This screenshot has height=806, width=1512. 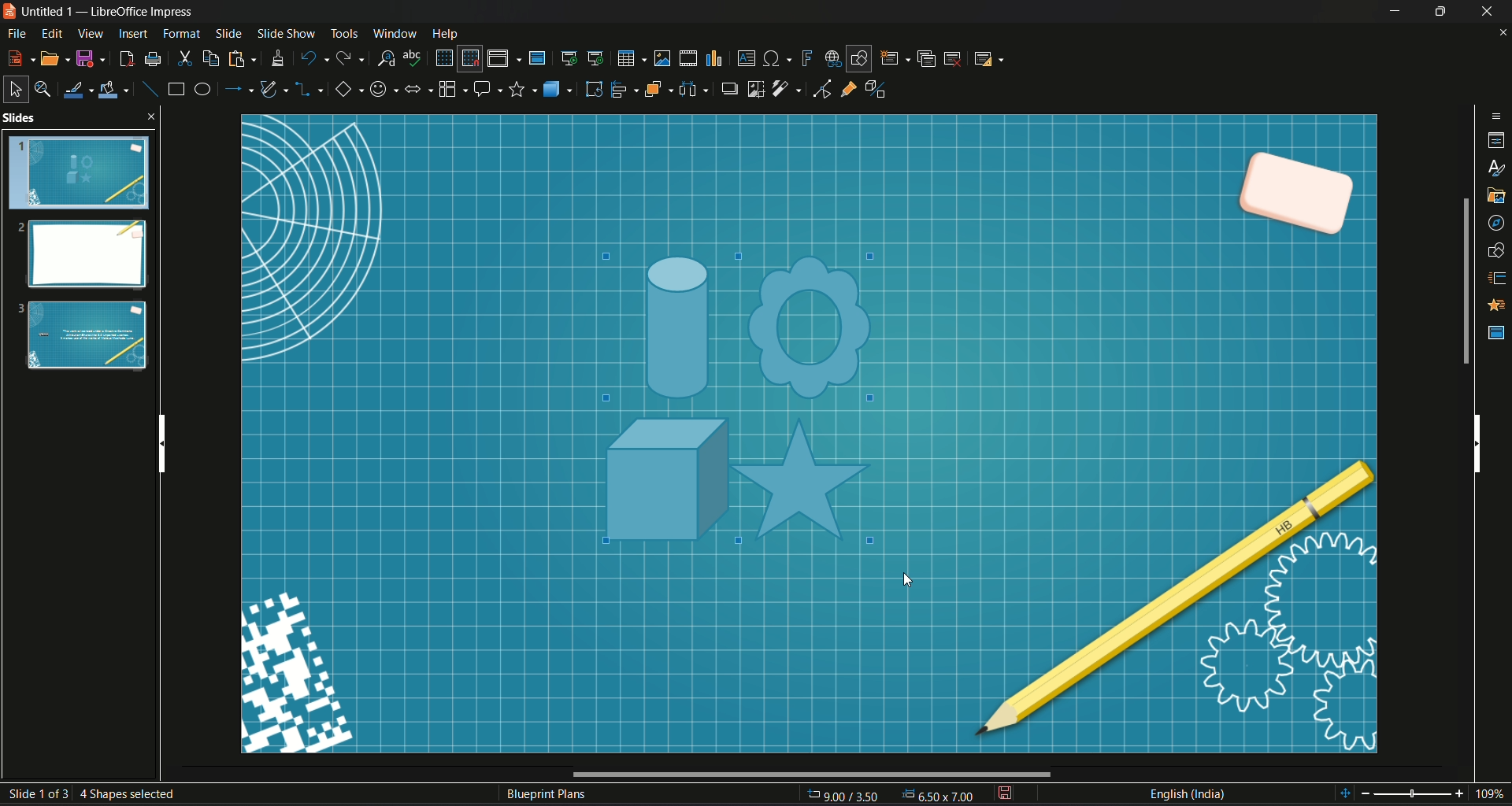 What do you see at coordinates (285, 31) in the screenshot?
I see `Slide show` at bounding box center [285, 31].